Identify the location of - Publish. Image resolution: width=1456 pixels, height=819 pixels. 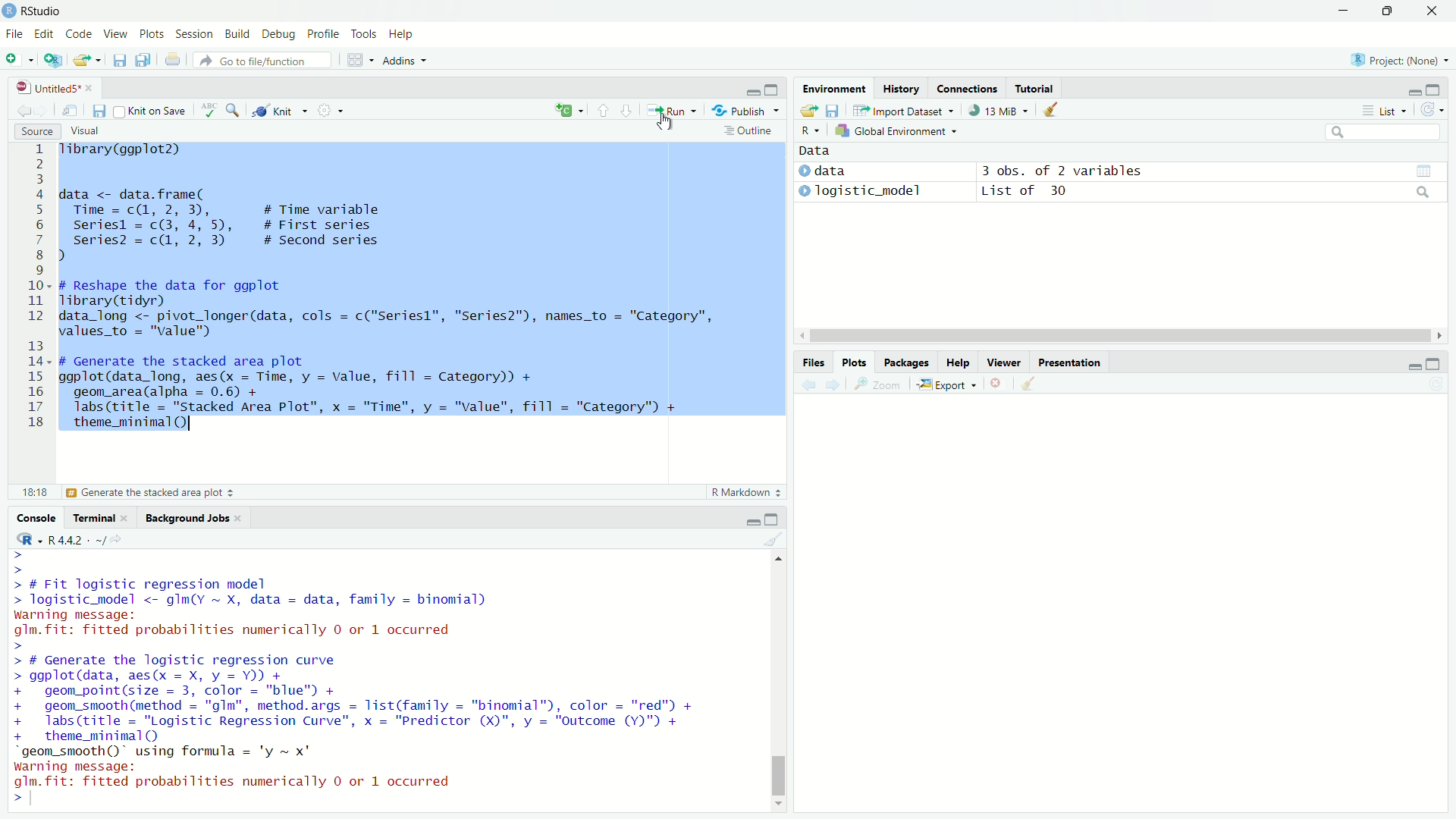
(742, 111).